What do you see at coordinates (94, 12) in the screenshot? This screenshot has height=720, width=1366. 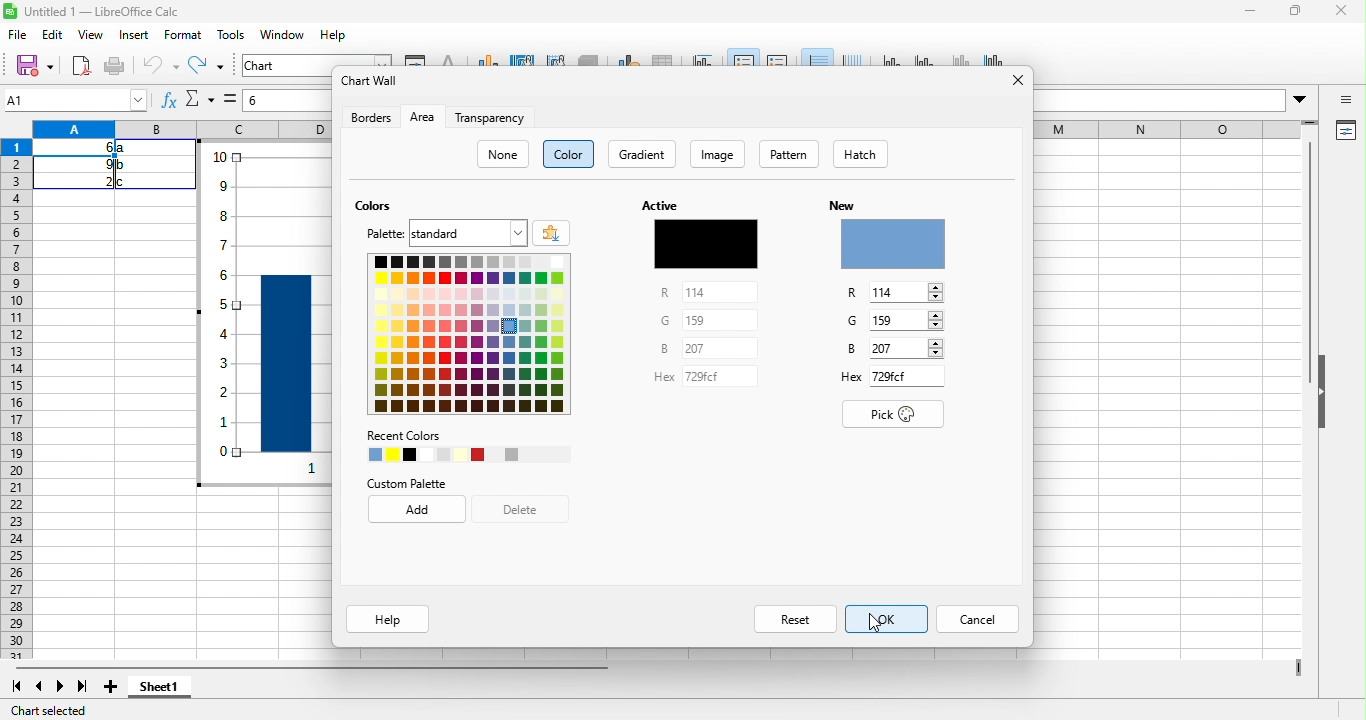 I see `title` at bounding box center [94, 12].